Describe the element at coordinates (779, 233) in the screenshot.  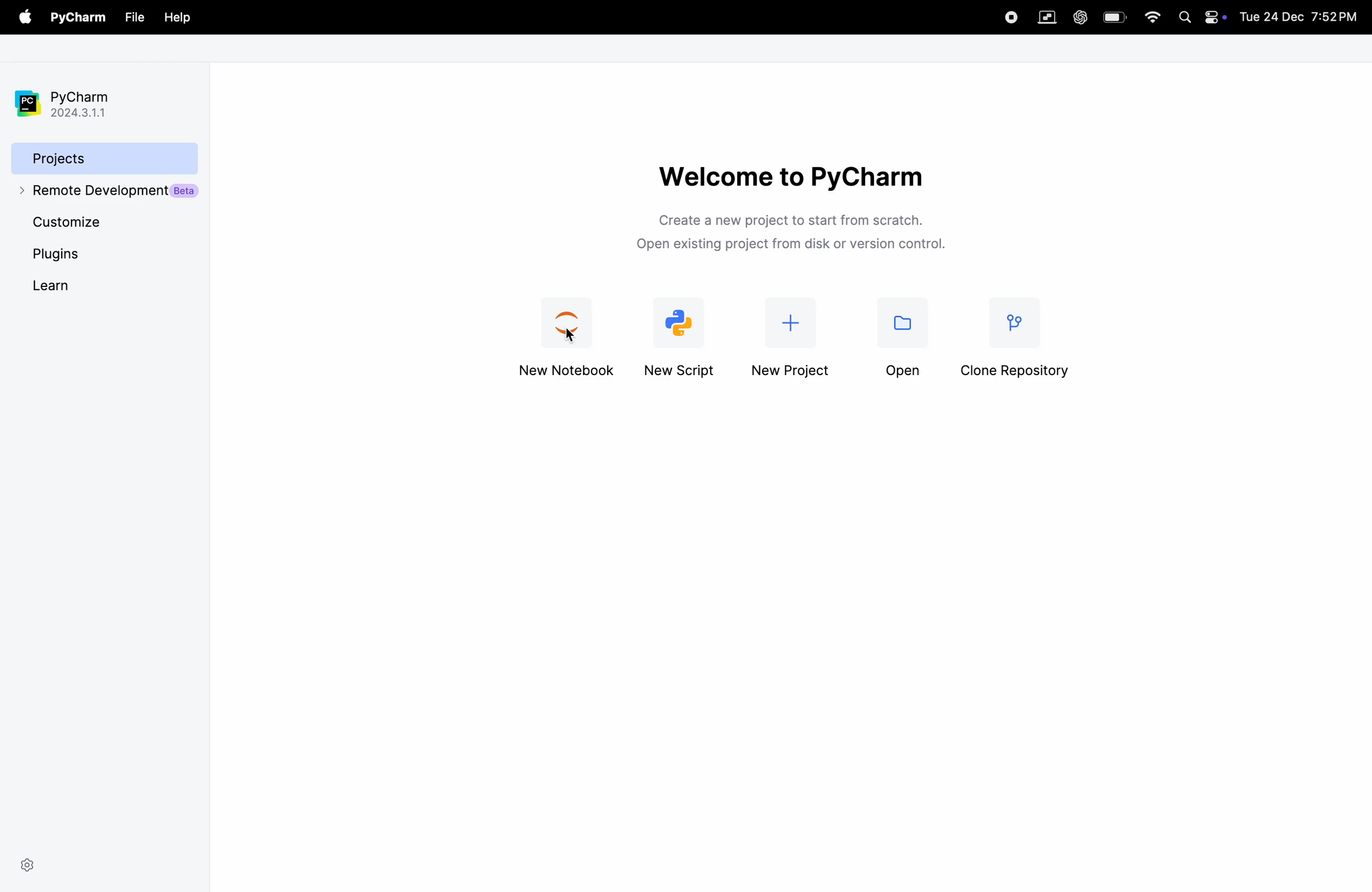
I see `Create a new project to start from scratch. Open existing project from disk or version control.` at that location.